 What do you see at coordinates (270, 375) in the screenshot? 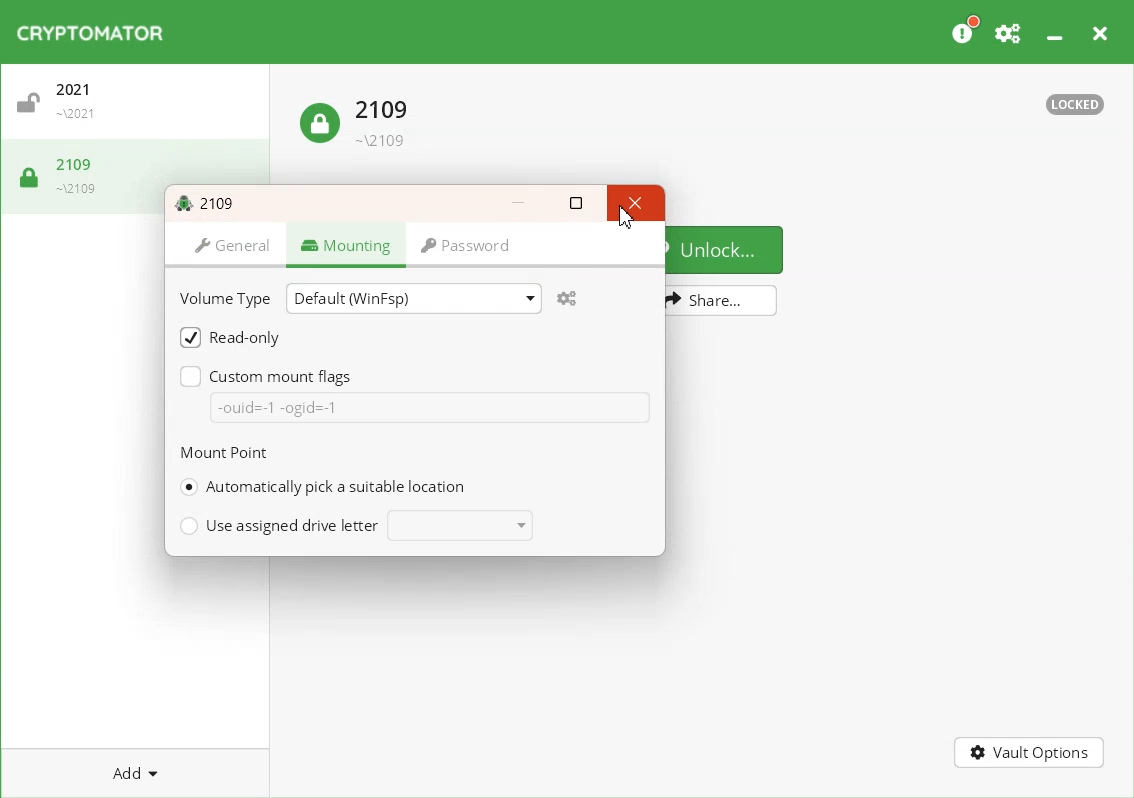
I see `Custom mount flags` at bounding box center [270, 375].